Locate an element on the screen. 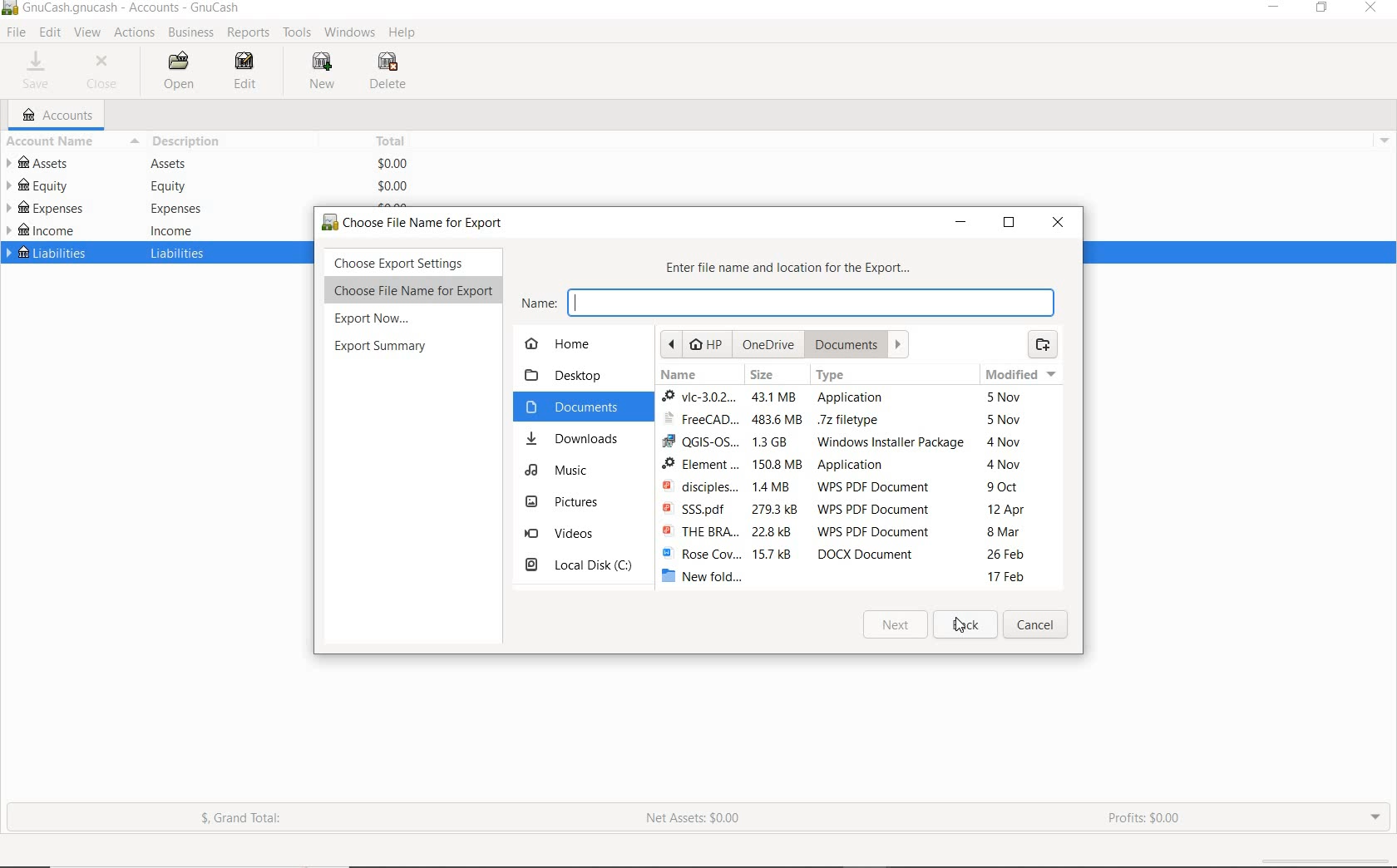  choose export settings is located at coordinates (412, 264).